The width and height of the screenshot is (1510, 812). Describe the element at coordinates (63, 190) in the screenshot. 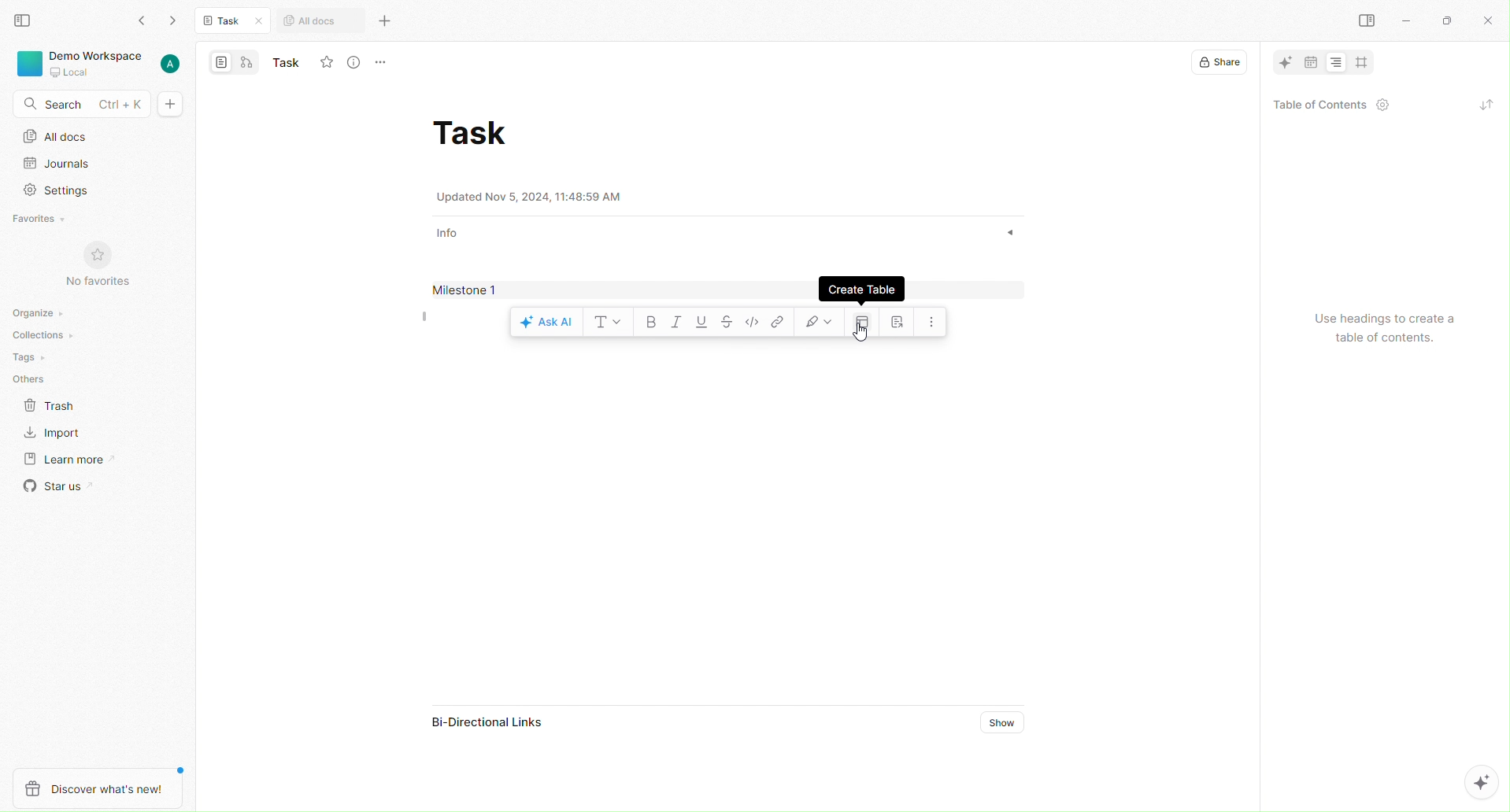

I see `Settings` at that location.